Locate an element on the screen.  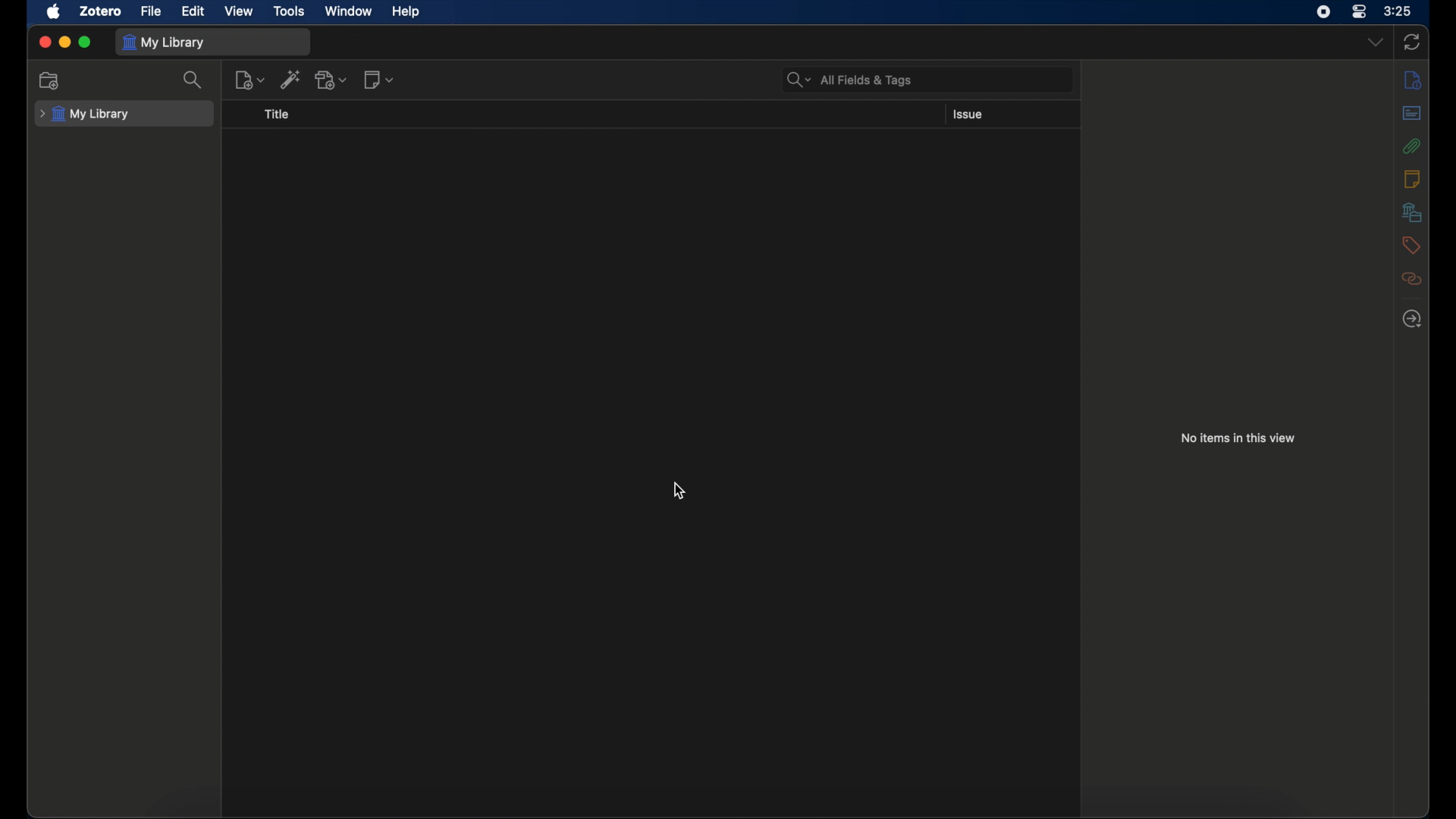
dropdown is located at coordinates (1376, 42).